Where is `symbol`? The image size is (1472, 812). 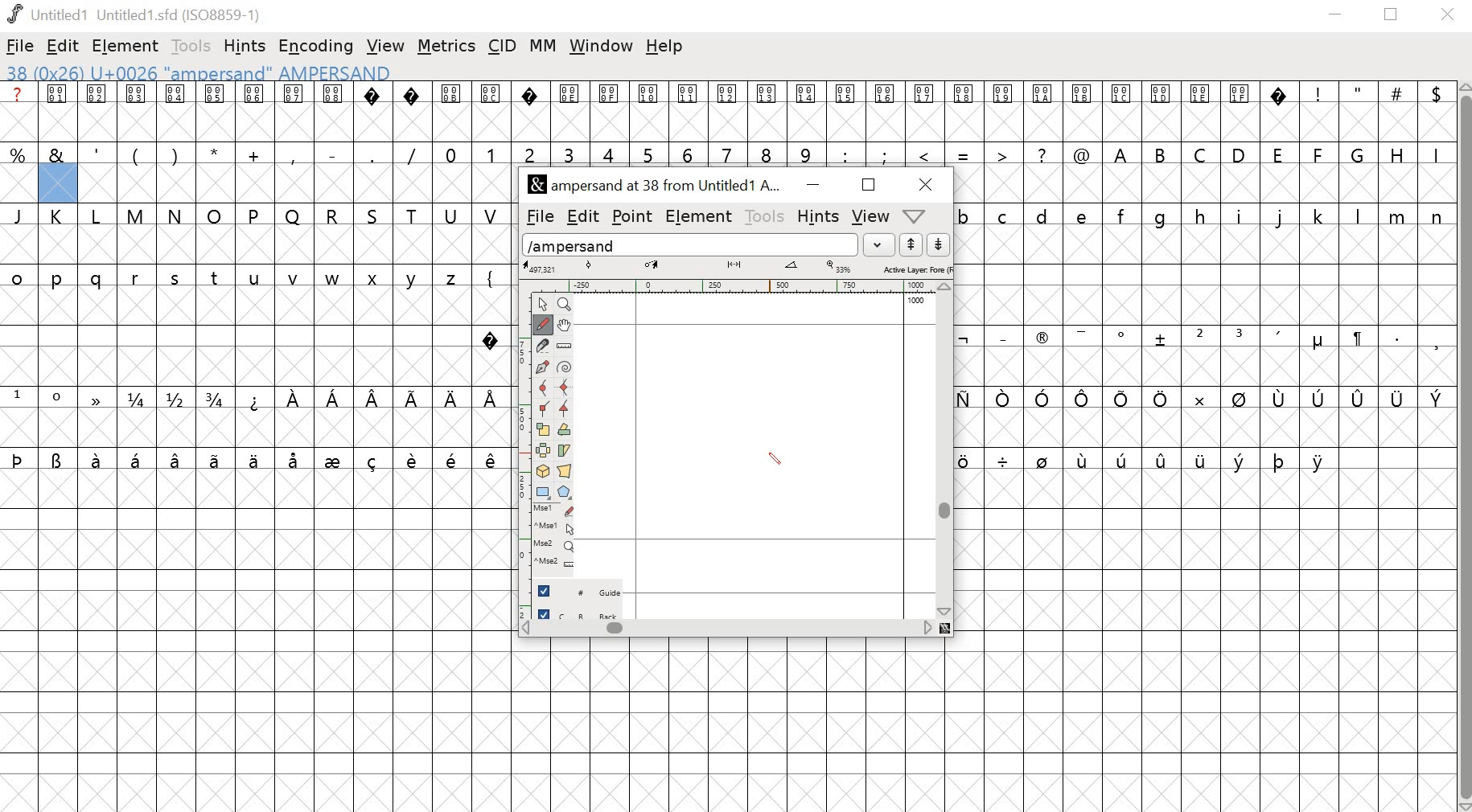 symbol is located at coordinates (454, 459).